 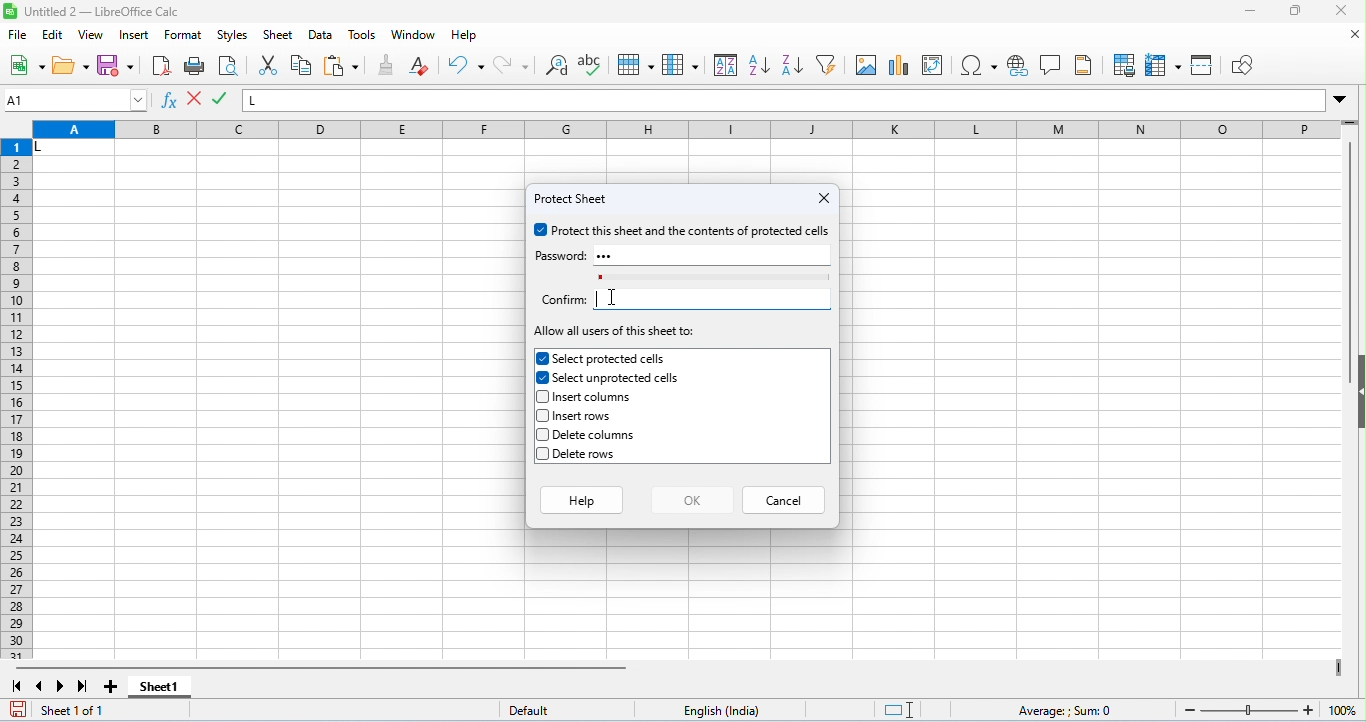 What do you see at coordinates (114, 687) in the screenshot?
I see `add sheet` at bounding box center [114, 687].